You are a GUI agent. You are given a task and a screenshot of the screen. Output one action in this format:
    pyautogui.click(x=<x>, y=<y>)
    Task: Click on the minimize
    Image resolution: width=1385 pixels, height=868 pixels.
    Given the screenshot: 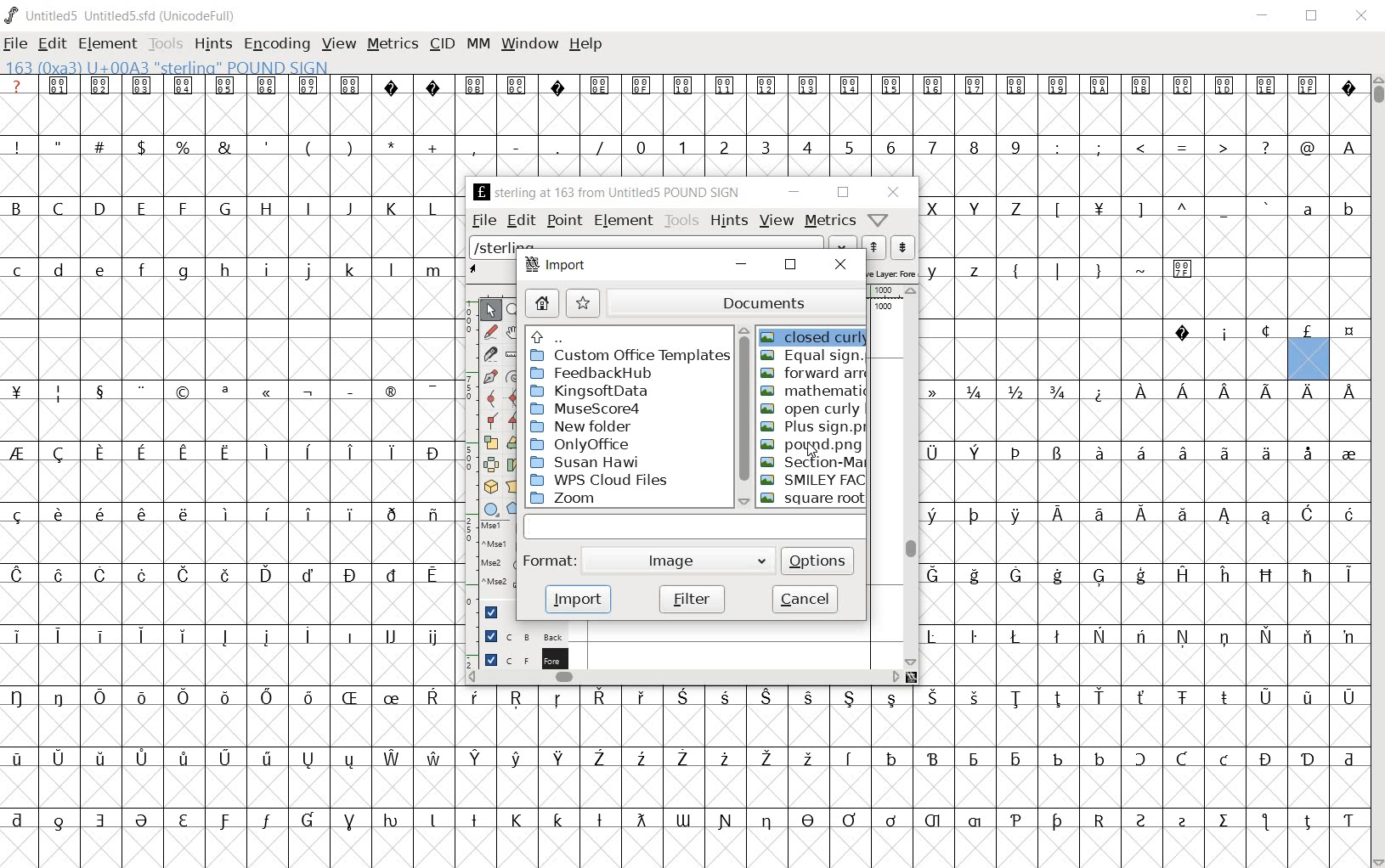 What is the action you would take?
    pyautogui.click(x=742, y=263)
    